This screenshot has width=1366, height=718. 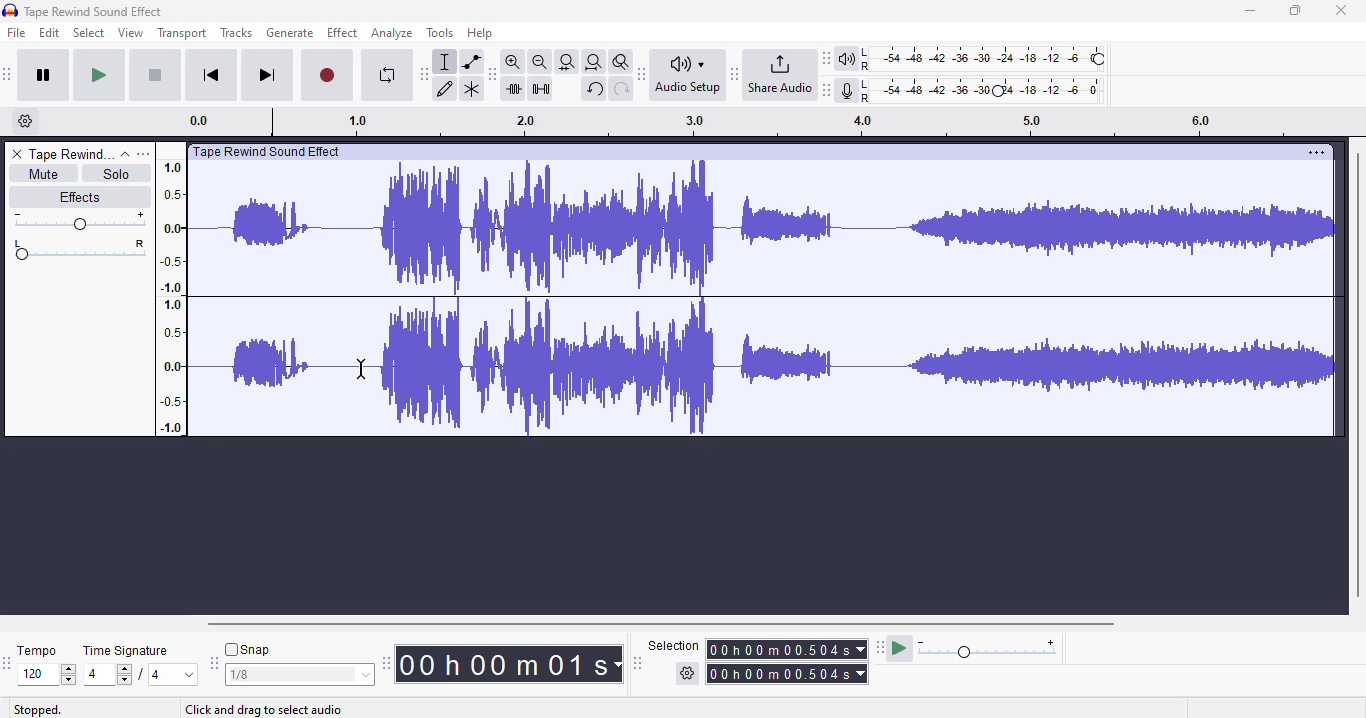 I want to click on playback meter, so click(x=973, y=59).